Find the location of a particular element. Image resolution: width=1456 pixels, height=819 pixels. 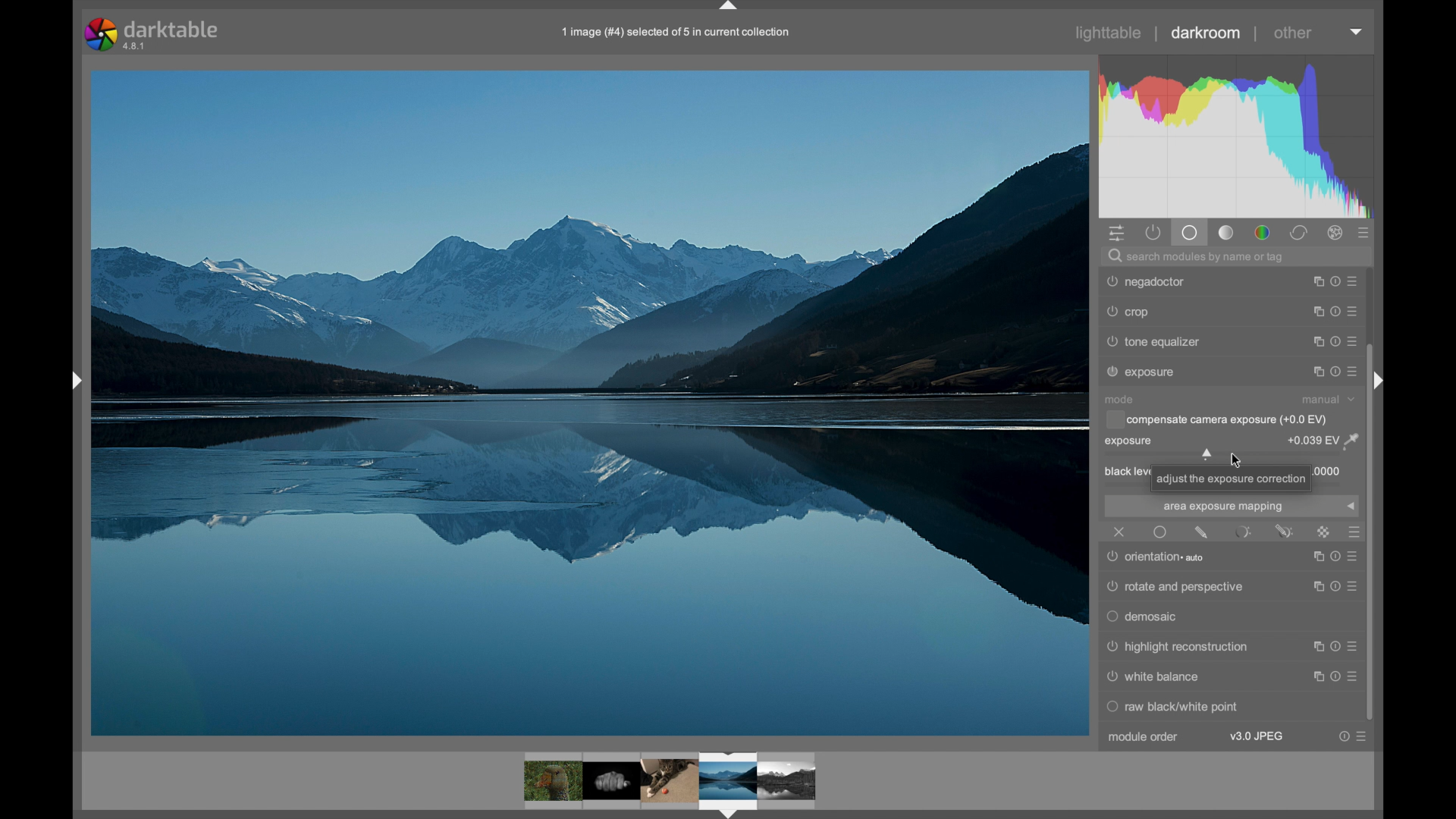

lighttable is located at coordinates (1109, 33).